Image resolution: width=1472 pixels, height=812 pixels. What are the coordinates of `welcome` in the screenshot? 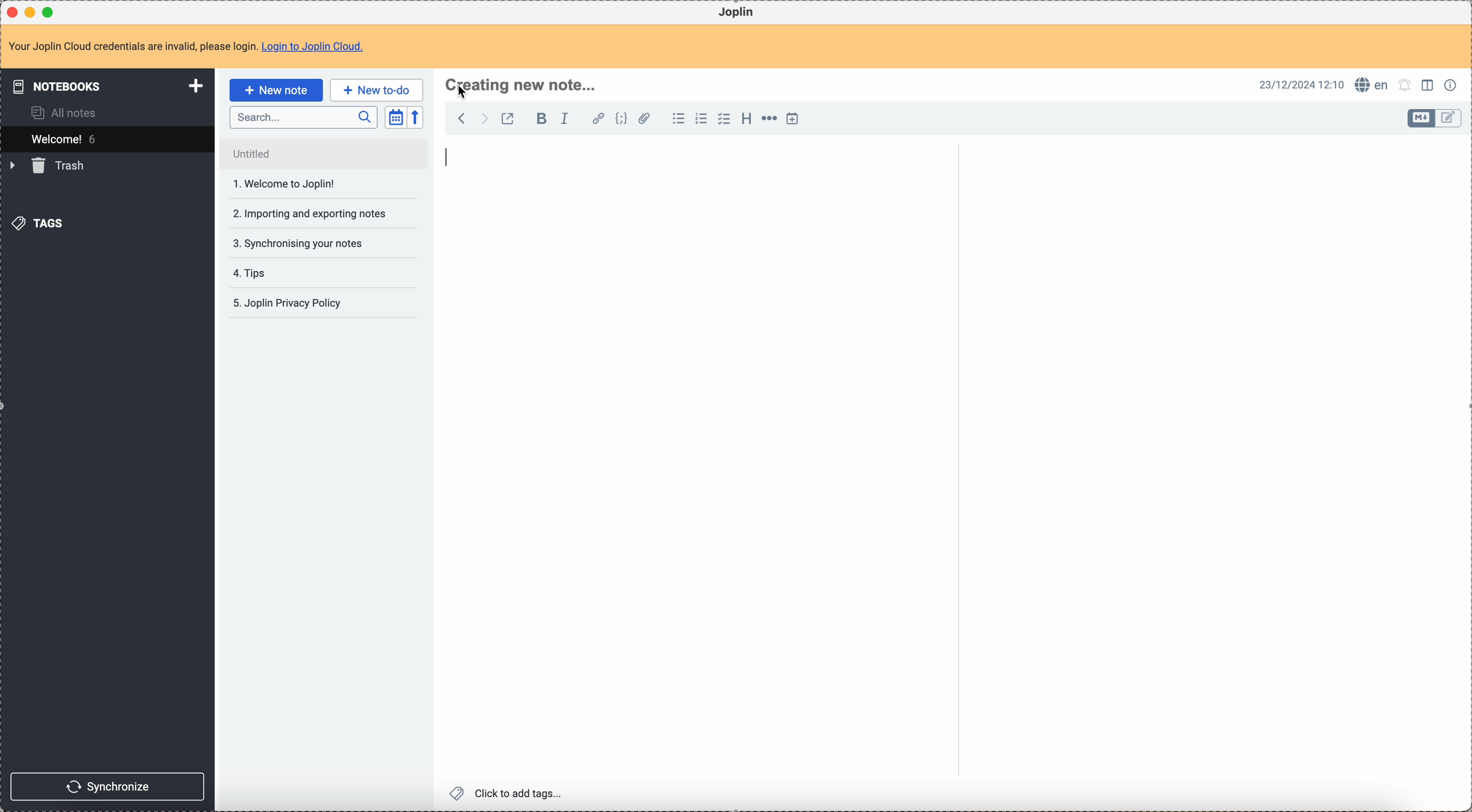 It's located at (106, 139).